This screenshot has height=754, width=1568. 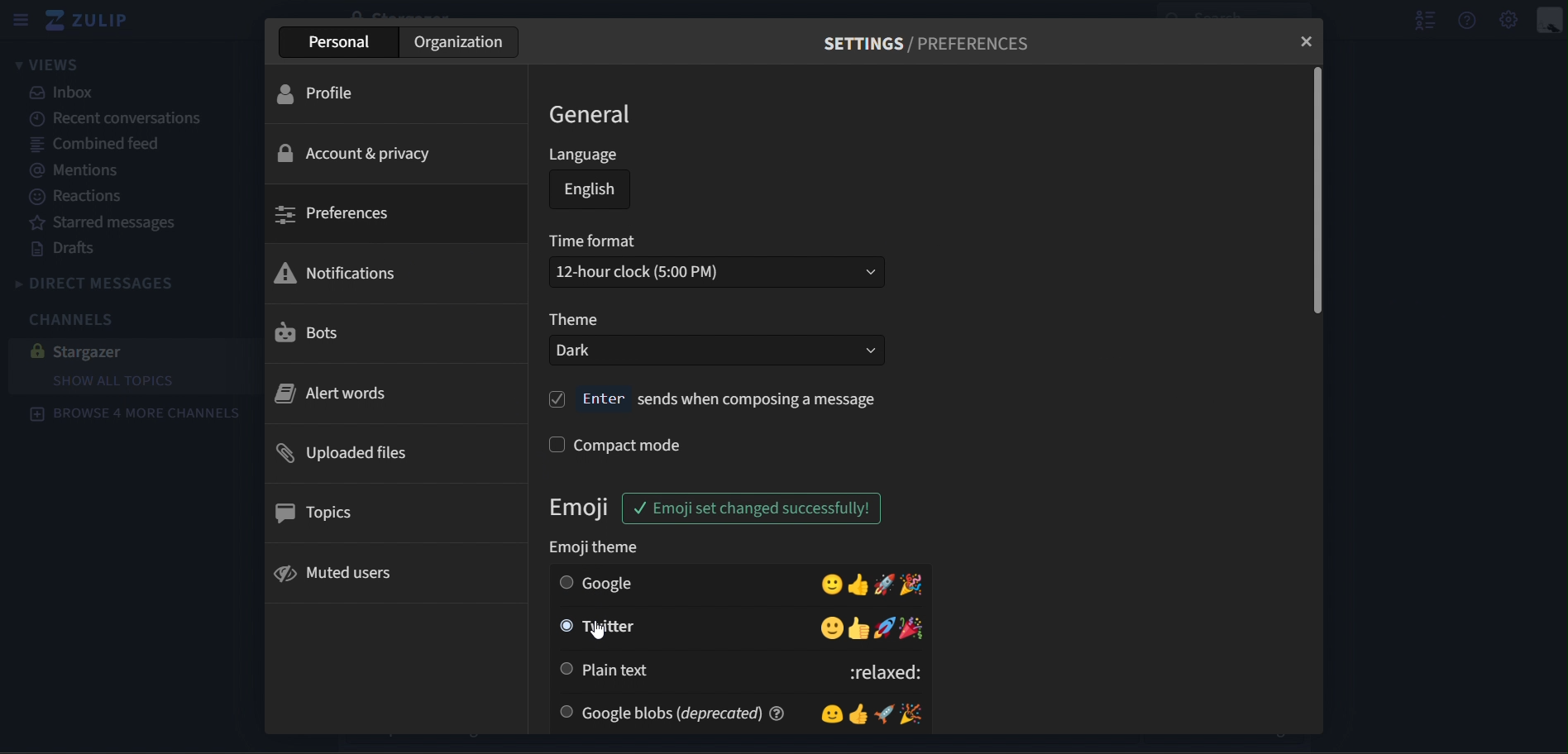 What do you see at coordinates (599, 546) in the screenshot?
I see `emoji theme` at bounding box center [599, 546].